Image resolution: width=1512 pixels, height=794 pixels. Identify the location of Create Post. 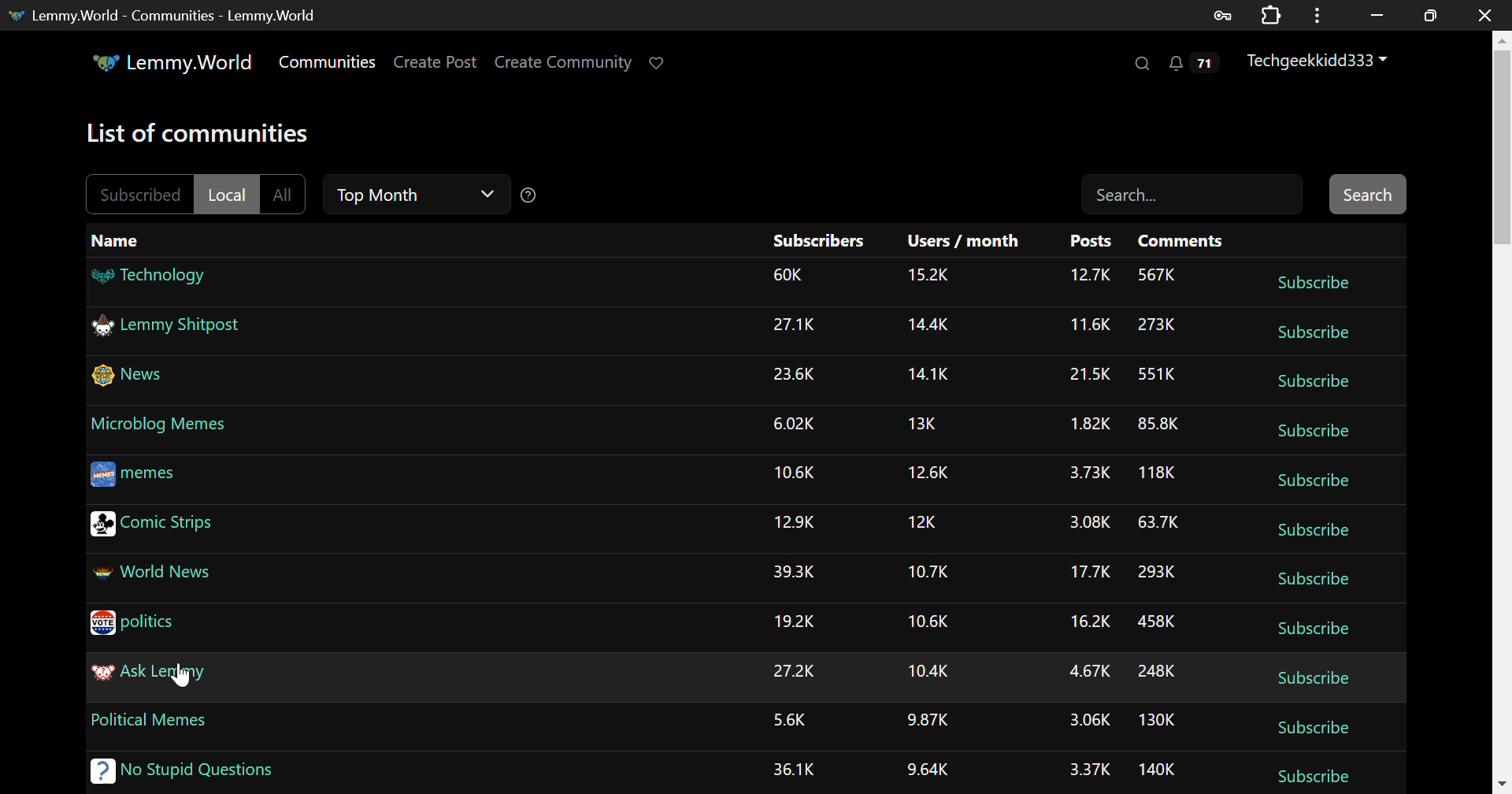
(435, 64).